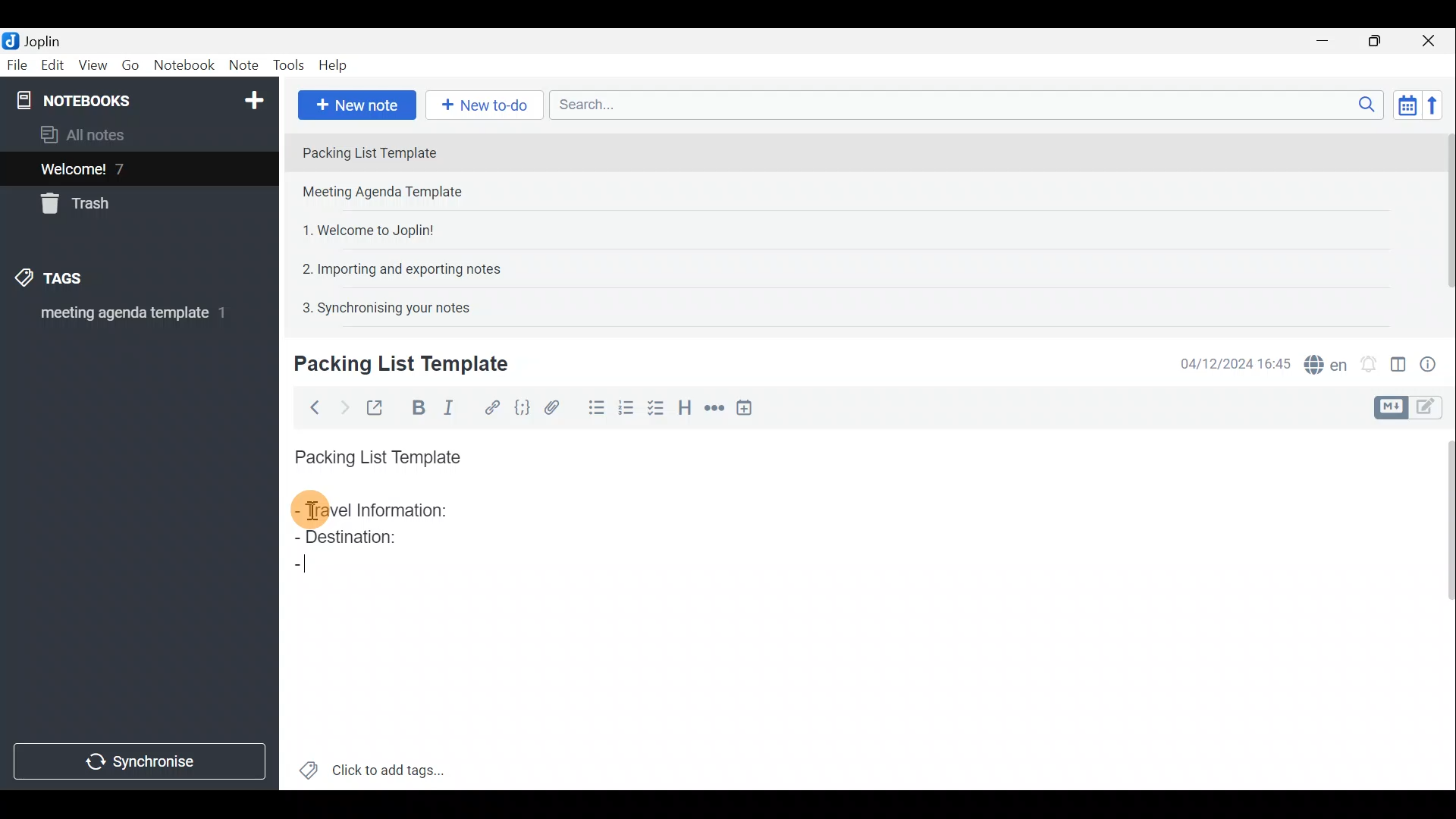 The image size is (1456, 819). Describe the element at coordinates (1322, 362) in the screenshot. I see `Spell checker` at that location.